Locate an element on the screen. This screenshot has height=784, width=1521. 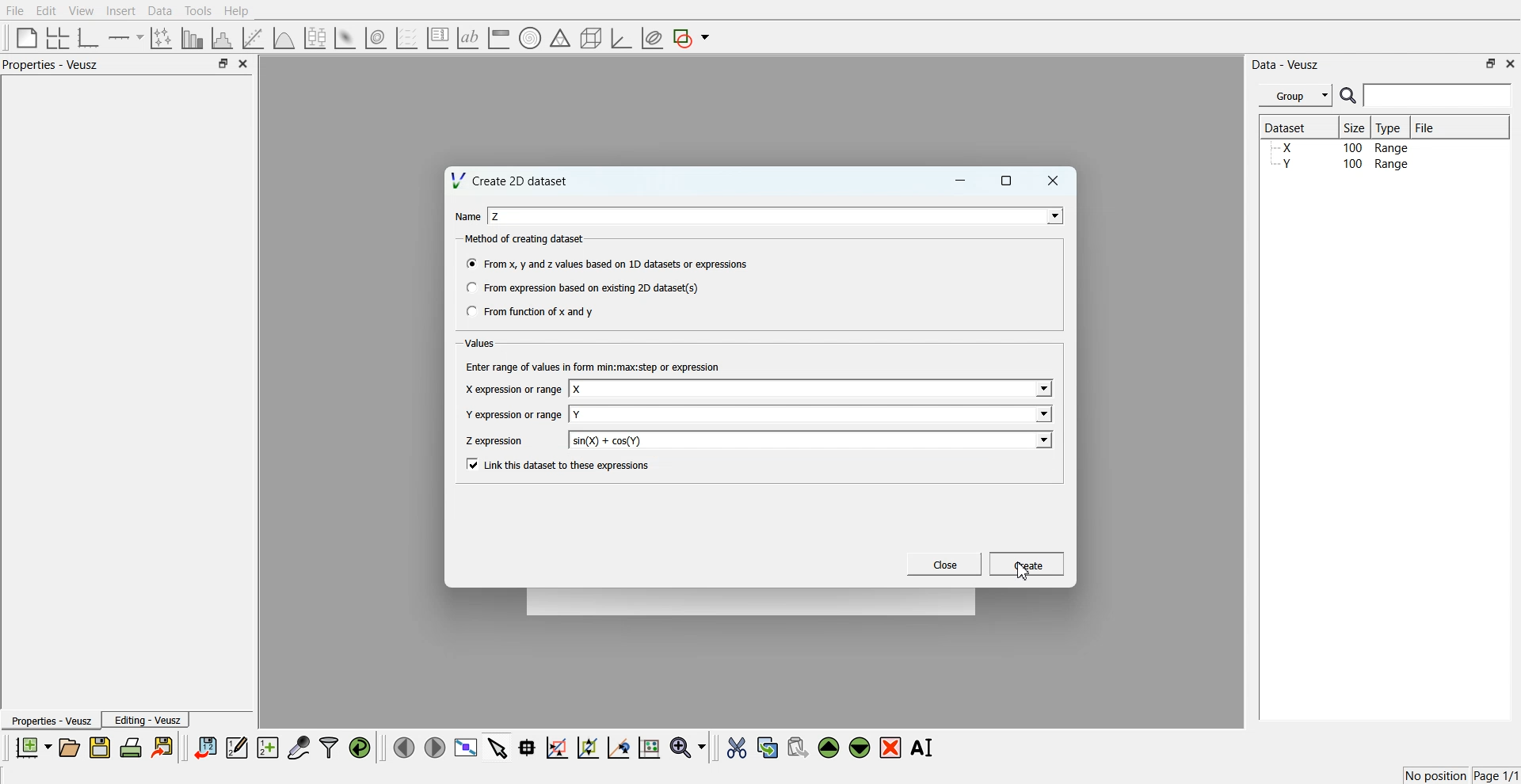
Cut the selected widget is located at coordinates (737, 748).